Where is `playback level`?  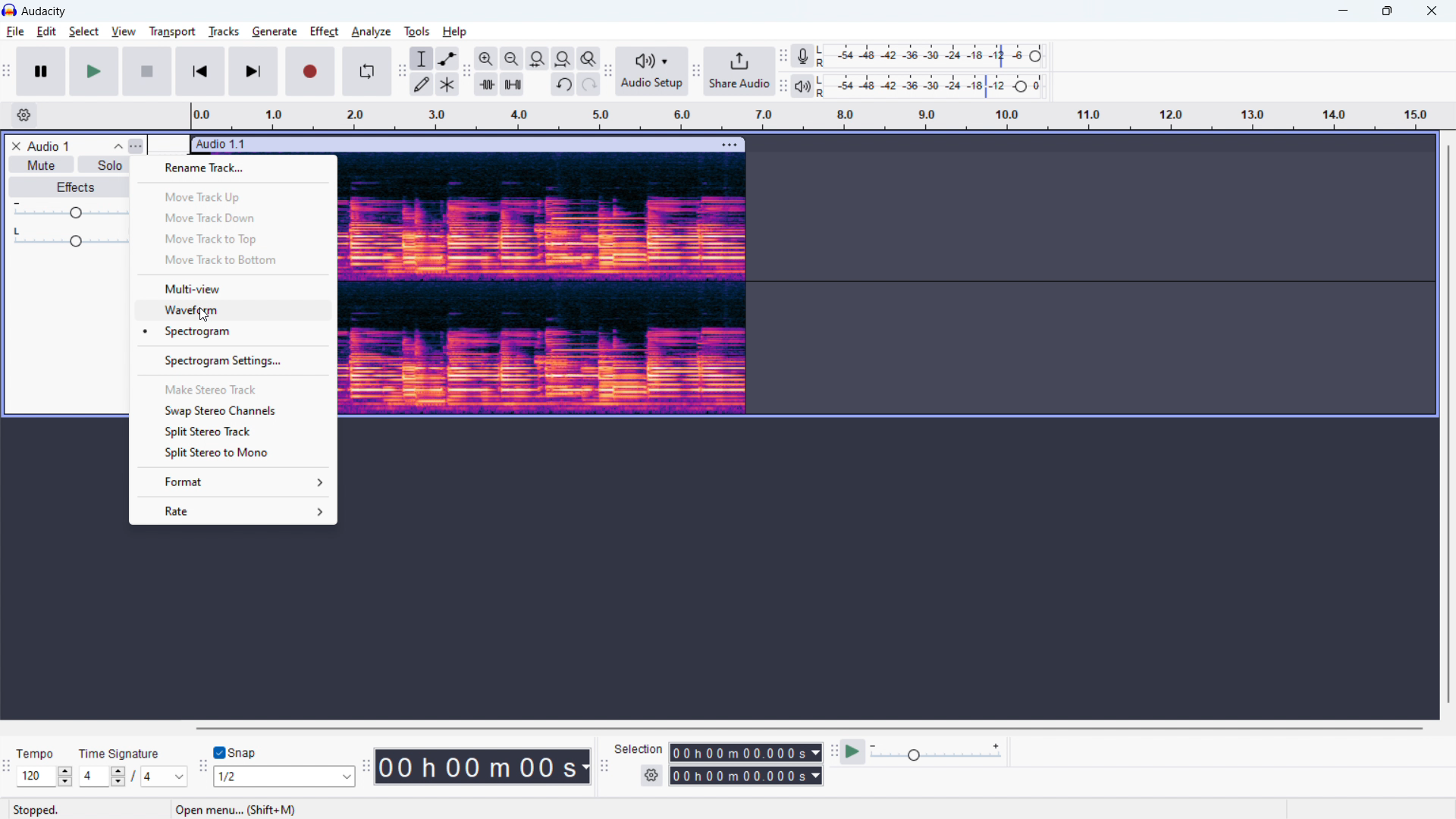 playback level is located at coordinates (936, 86).